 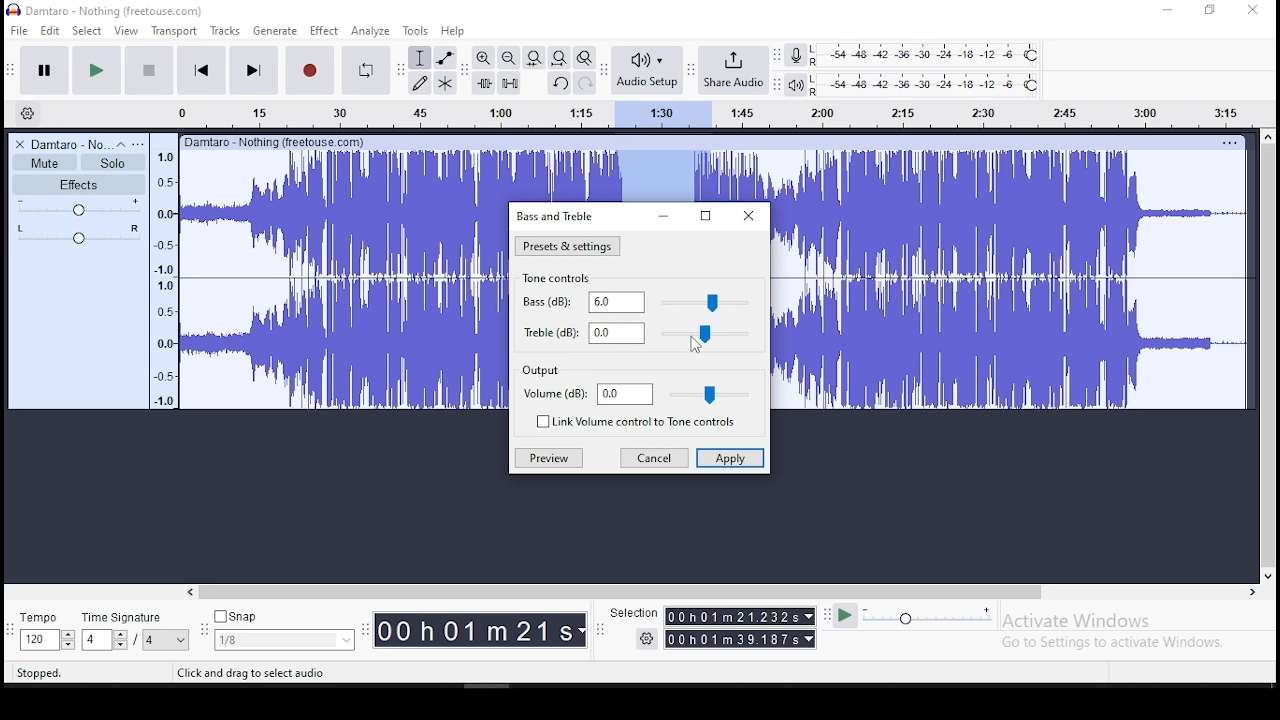 I want to click on 0.0, so click(x=617, y=333).